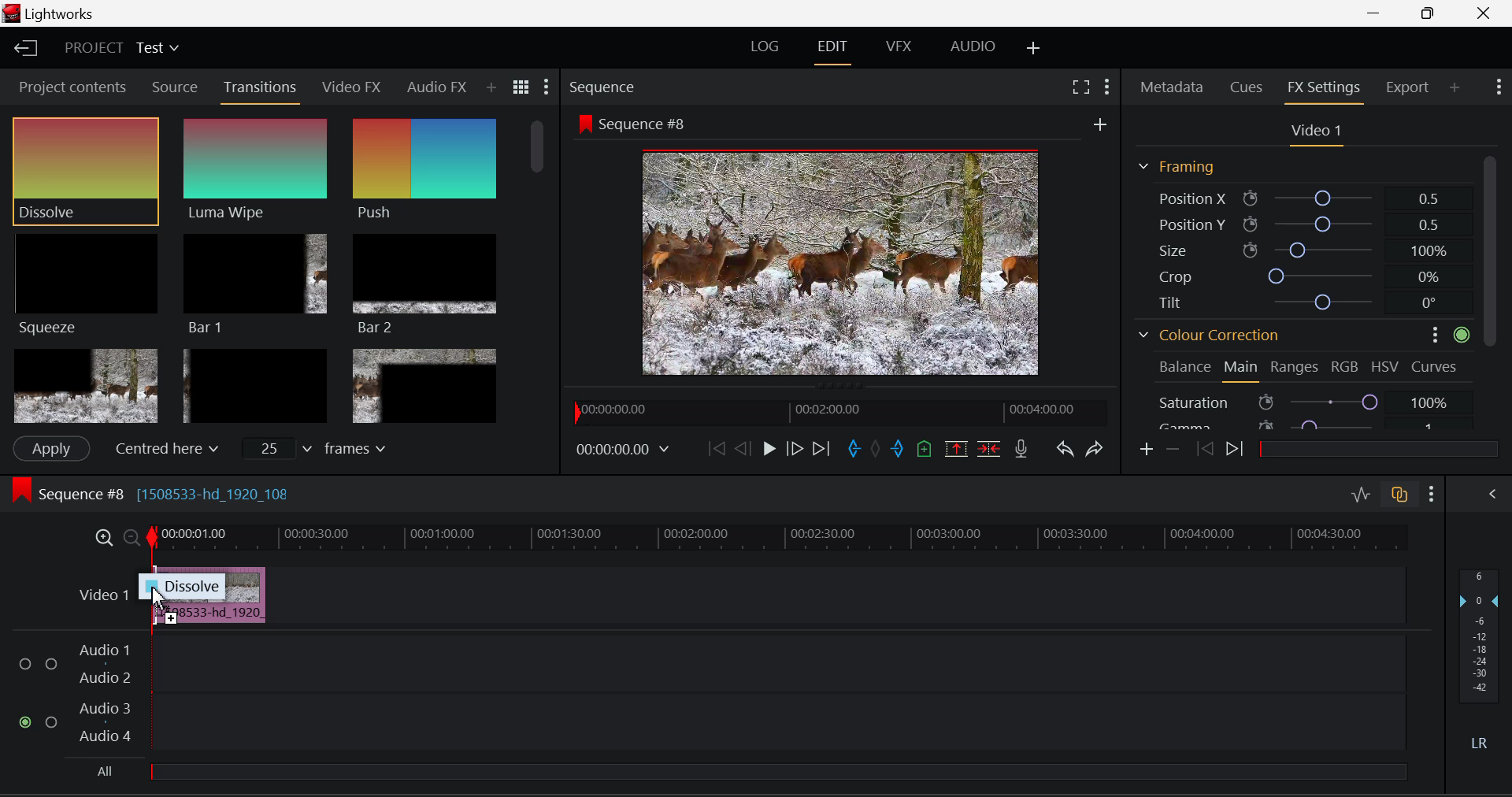 The width and height of the screenshot is (1512, 797). I want to click on Source, so click(176, 87).